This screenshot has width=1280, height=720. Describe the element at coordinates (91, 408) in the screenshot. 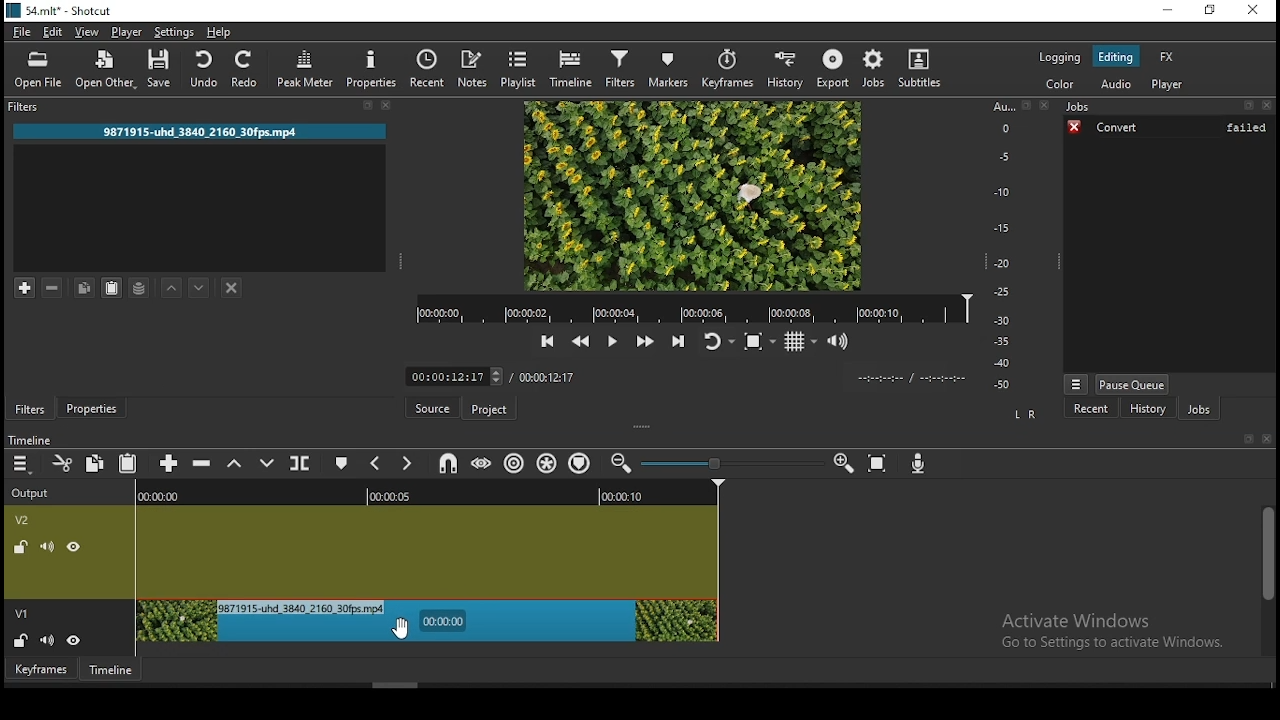

I see `properties` at that location.